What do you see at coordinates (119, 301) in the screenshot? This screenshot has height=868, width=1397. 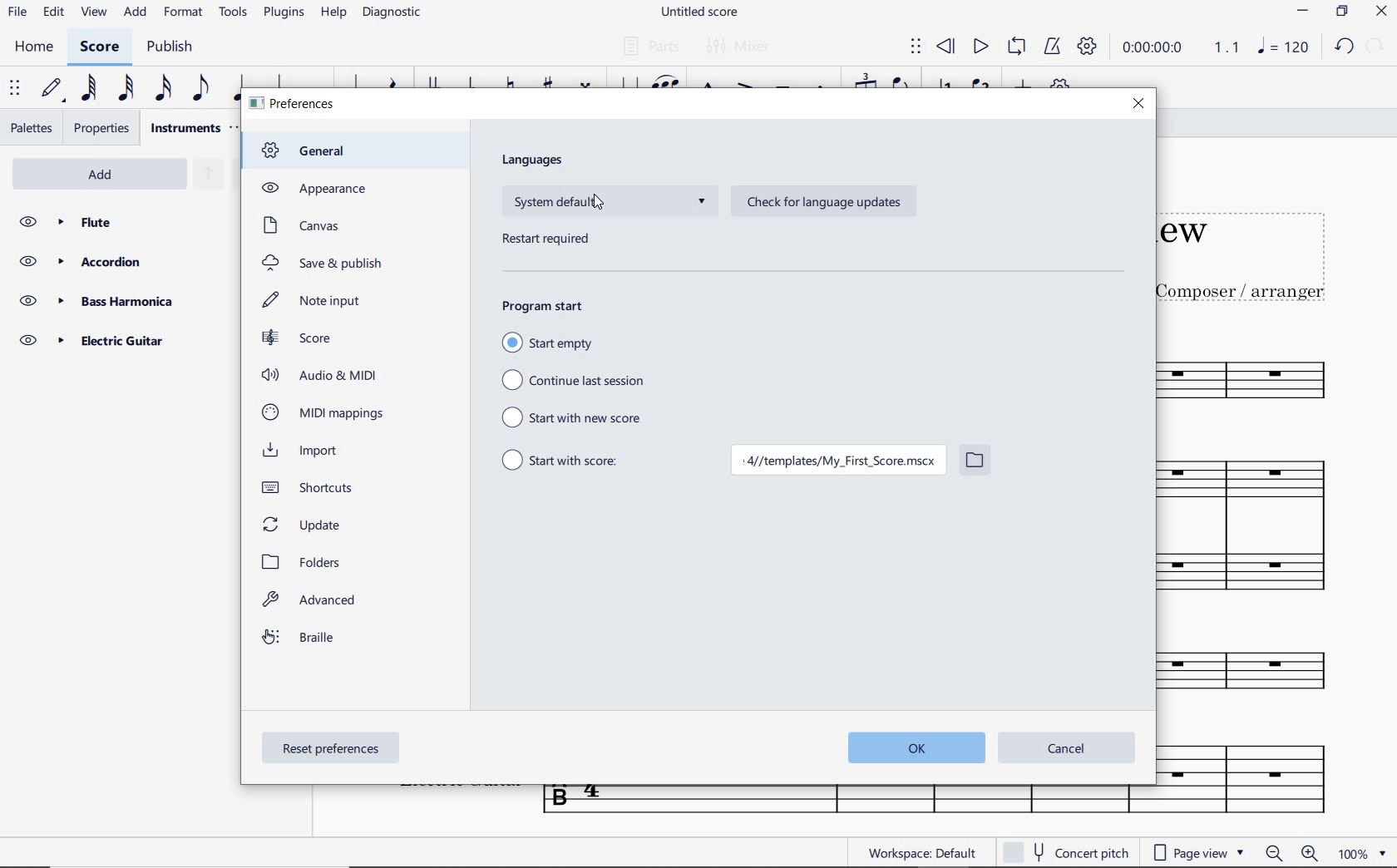 I see `bass harmonica` at bounding box center [119, 301].